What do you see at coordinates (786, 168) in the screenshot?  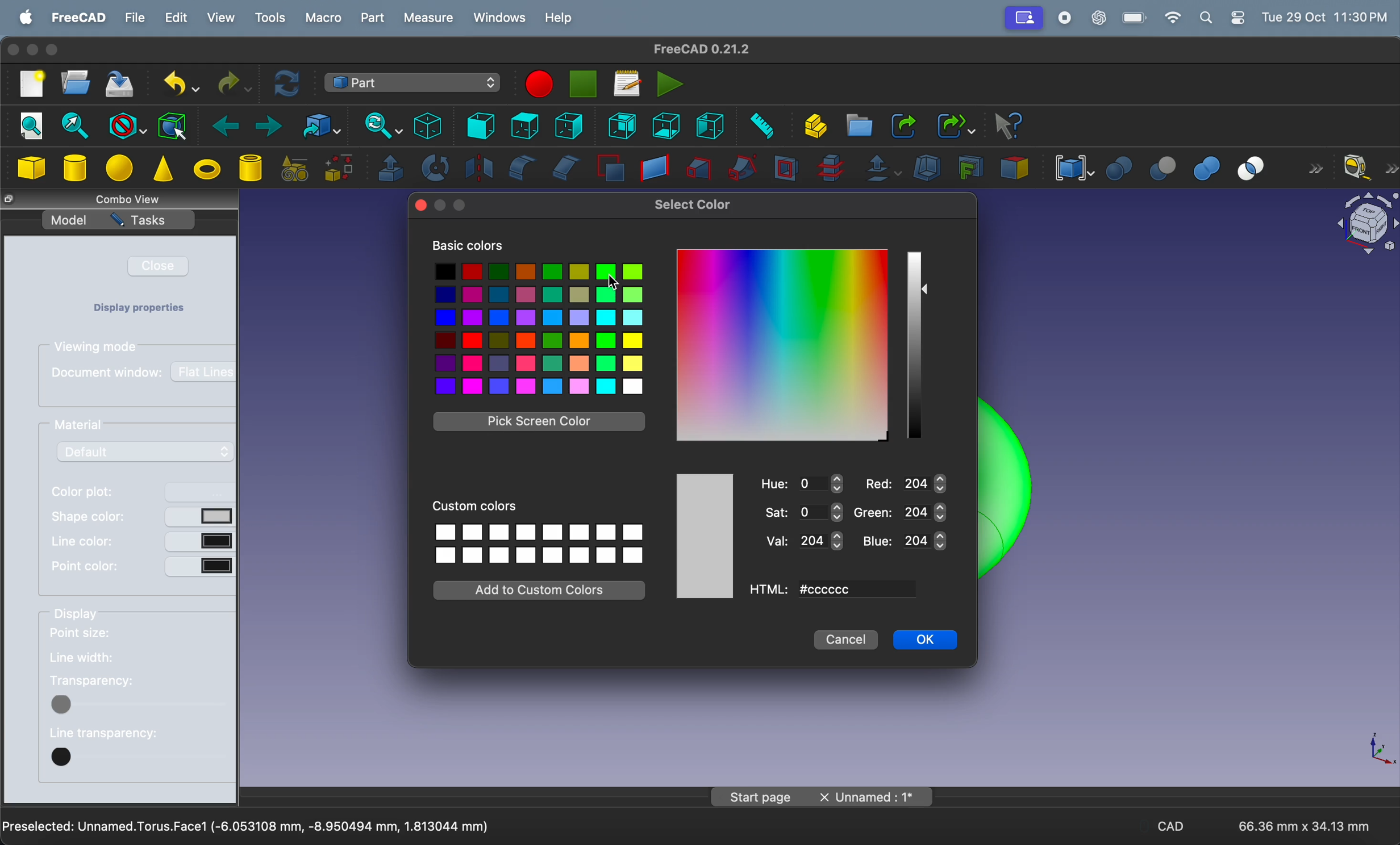 I see `section` at bounding box center [786, 168].